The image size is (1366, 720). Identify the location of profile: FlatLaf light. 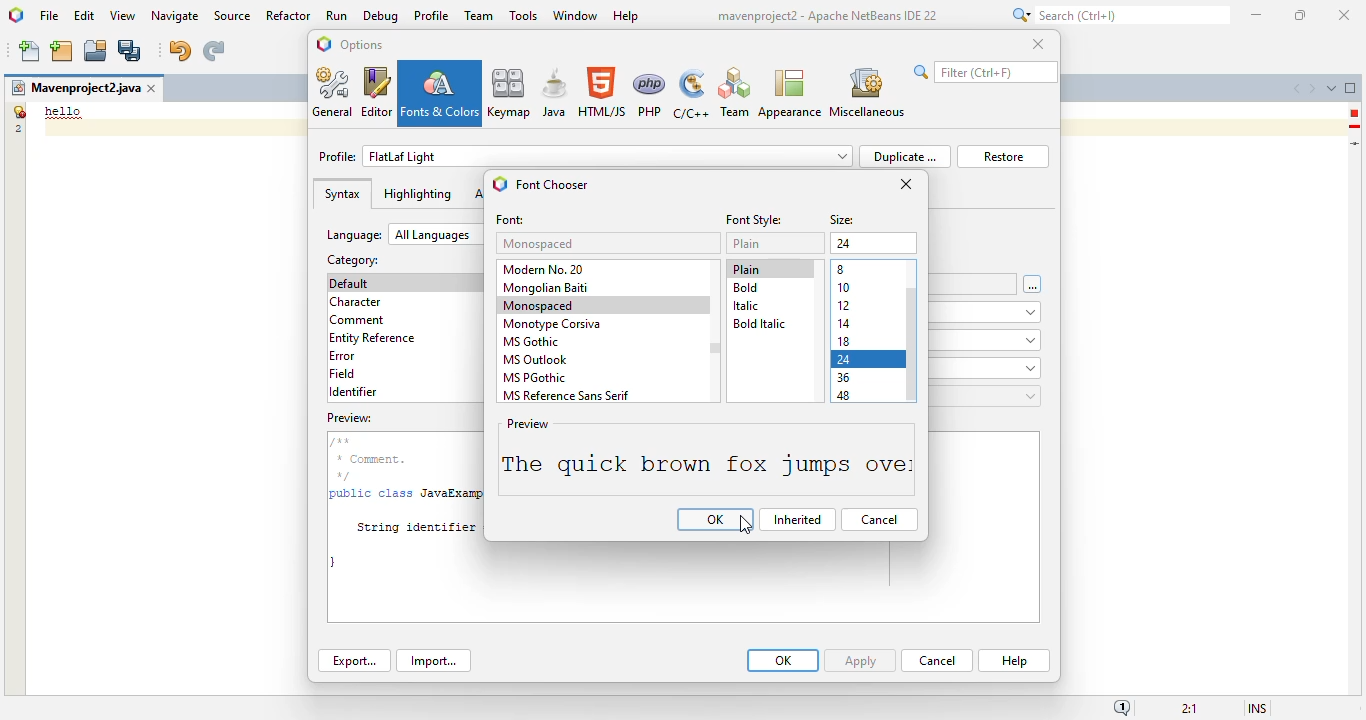
(585, 156).